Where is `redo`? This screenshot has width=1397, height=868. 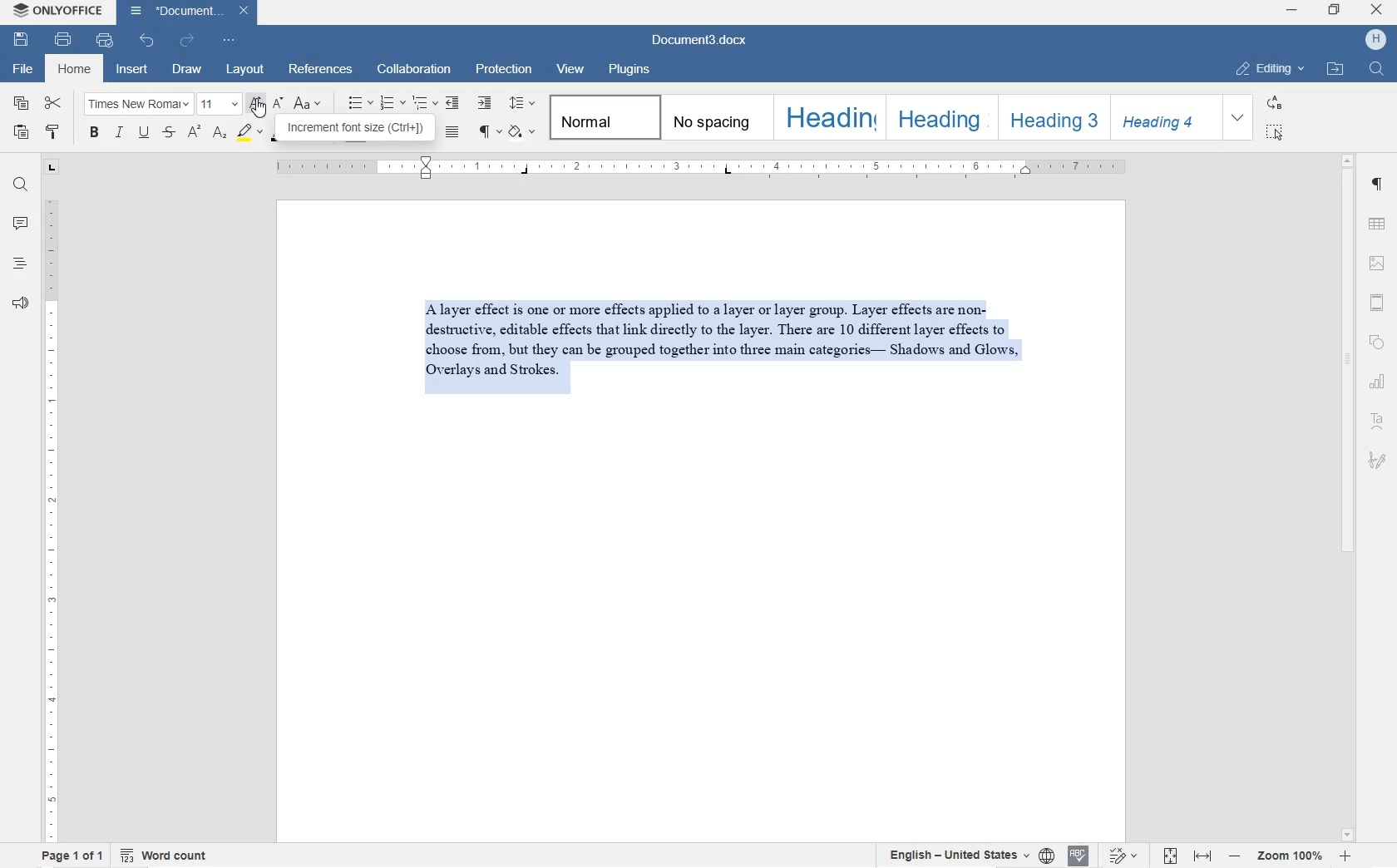
redo is located at coordinates (188, 42).